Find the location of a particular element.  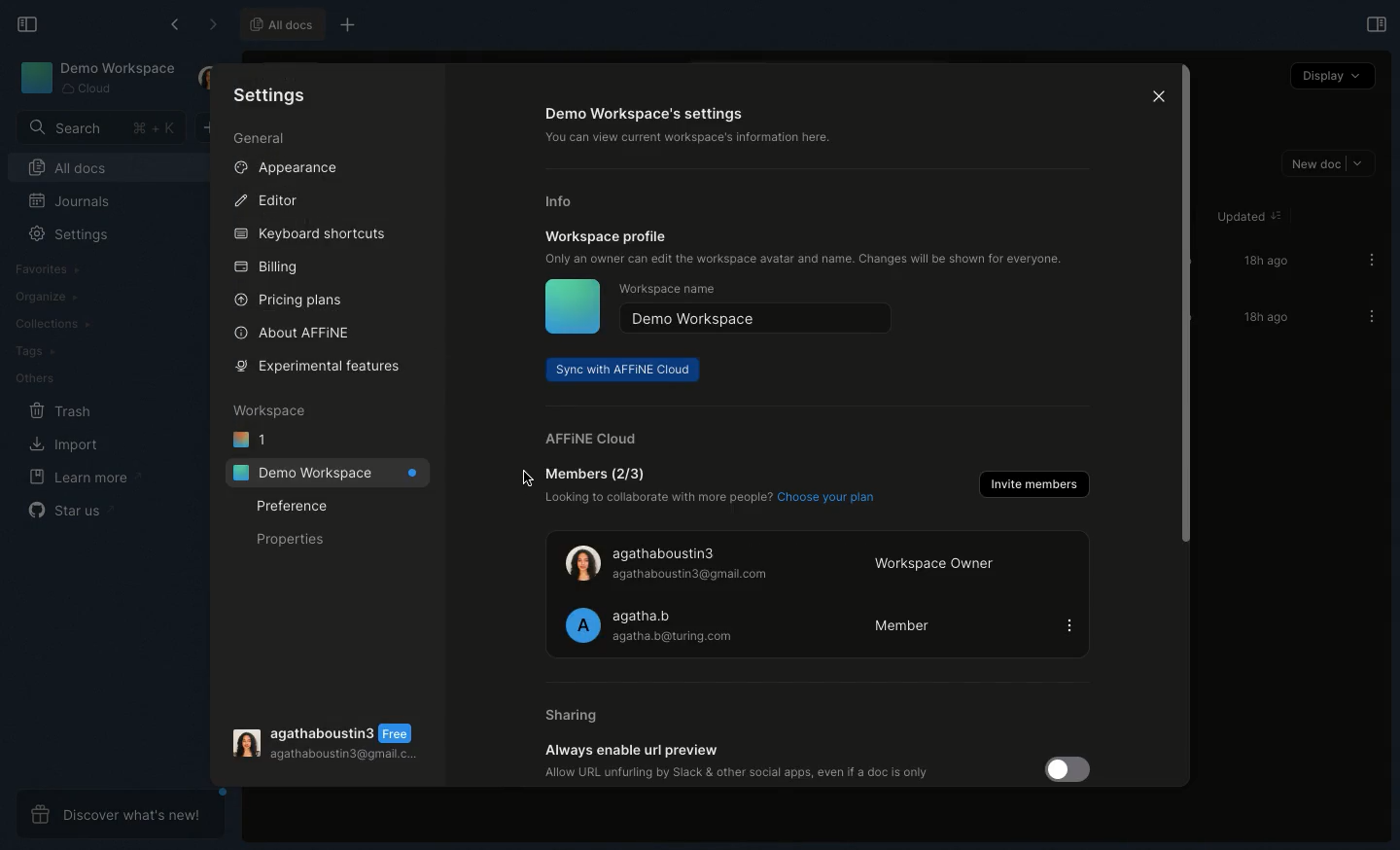

General is located at coordinates (262, 138).